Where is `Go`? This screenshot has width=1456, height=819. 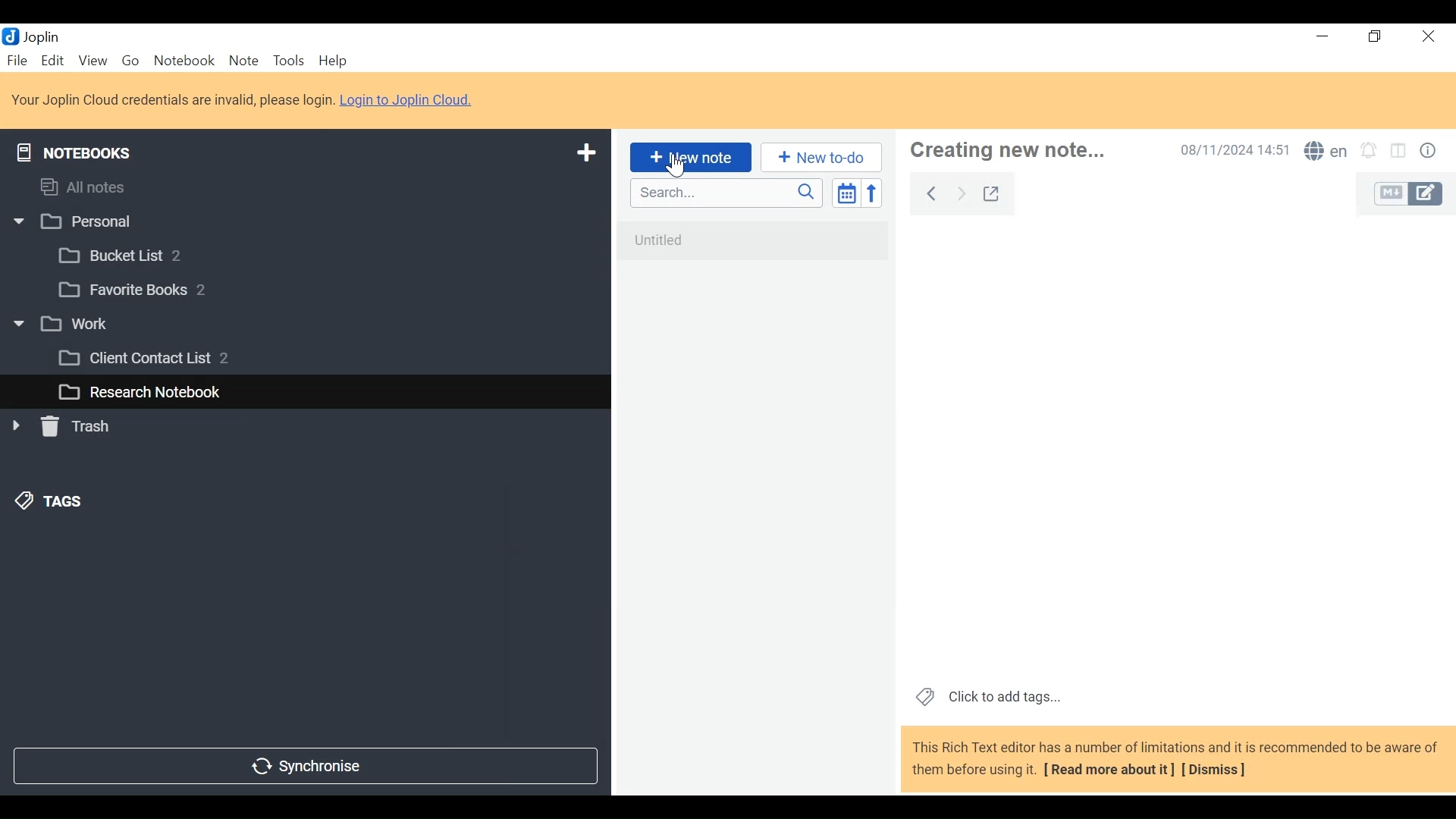
Go is located at coordinates (130, 59).